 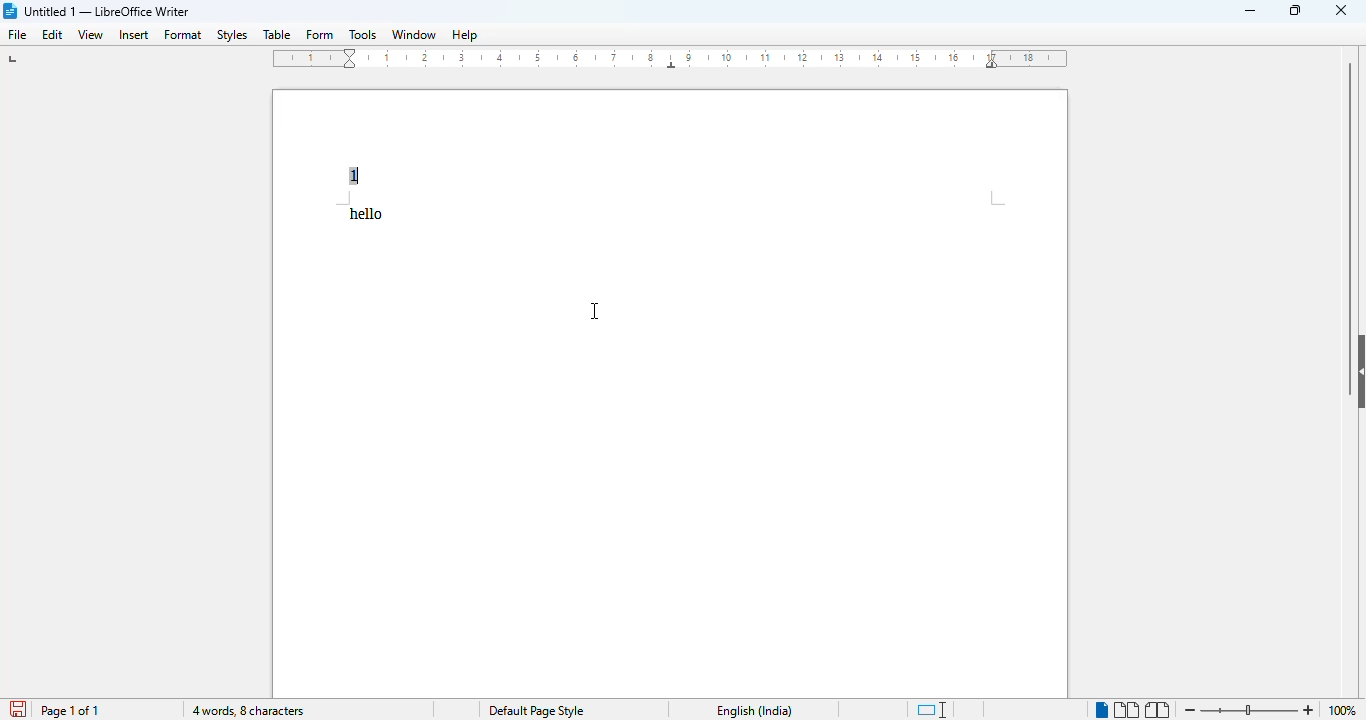 What do you see at coordinates (53, 34) in the screenshot?
I see `edit` at bounding box center [53, 34].